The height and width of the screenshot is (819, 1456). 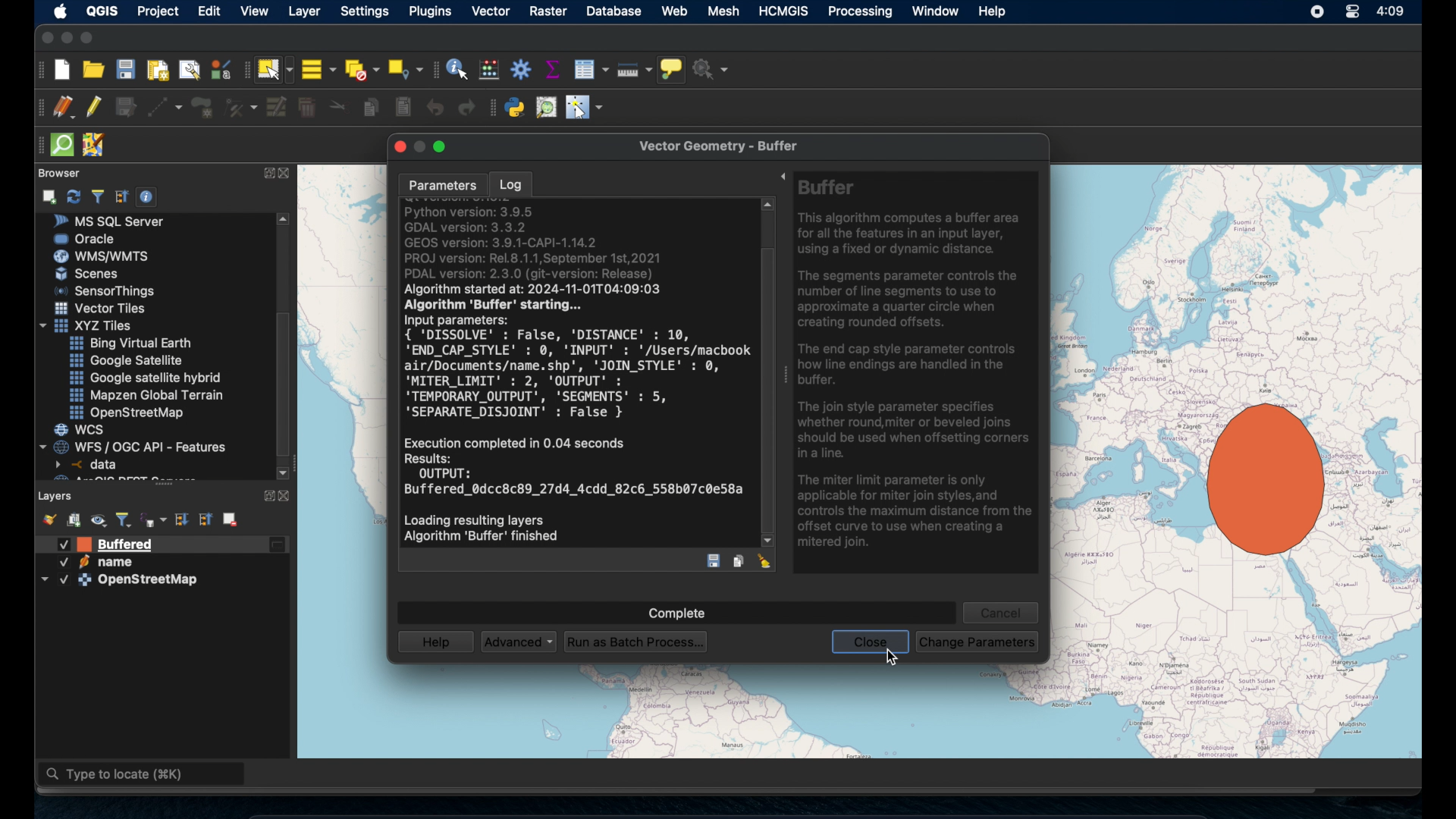 I want to click on osm place search, so click(x=548, y=107).